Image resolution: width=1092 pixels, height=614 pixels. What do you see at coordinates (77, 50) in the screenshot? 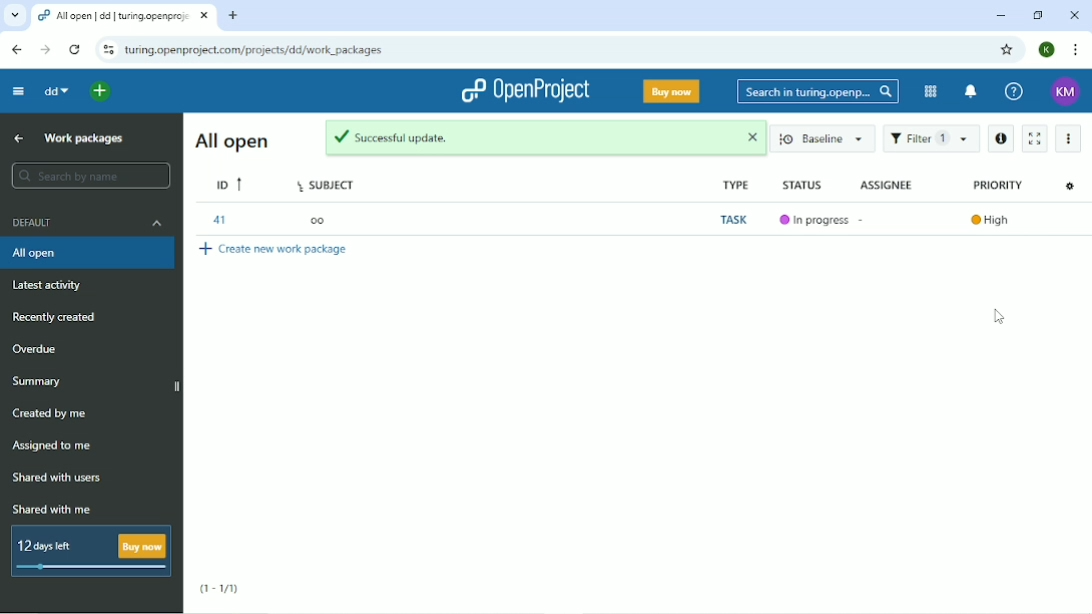
I see `Reload this page` at bounding box center [77, 50].